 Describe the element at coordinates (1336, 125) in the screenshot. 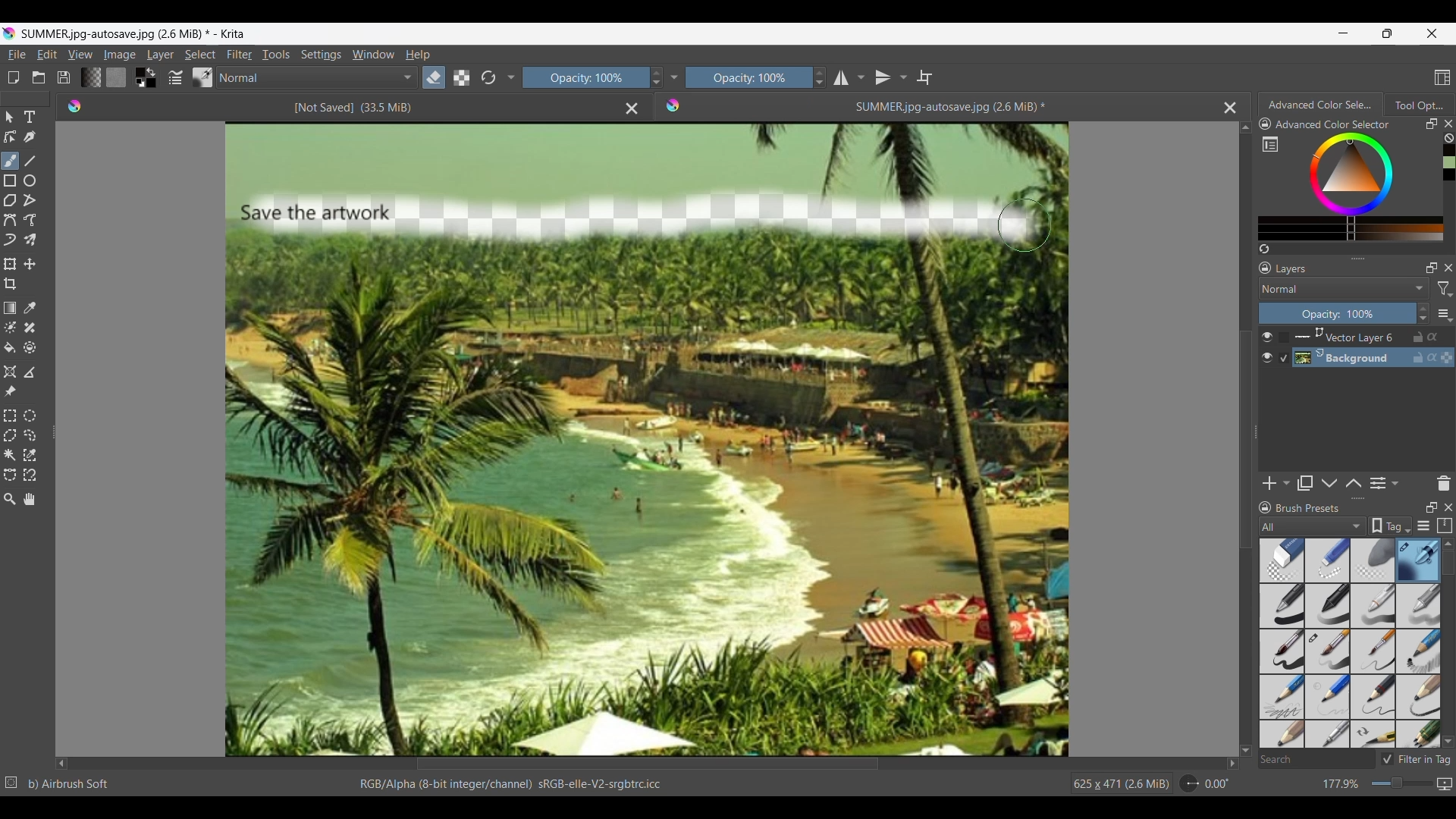

I see `Advanced Color Selector` at that location.